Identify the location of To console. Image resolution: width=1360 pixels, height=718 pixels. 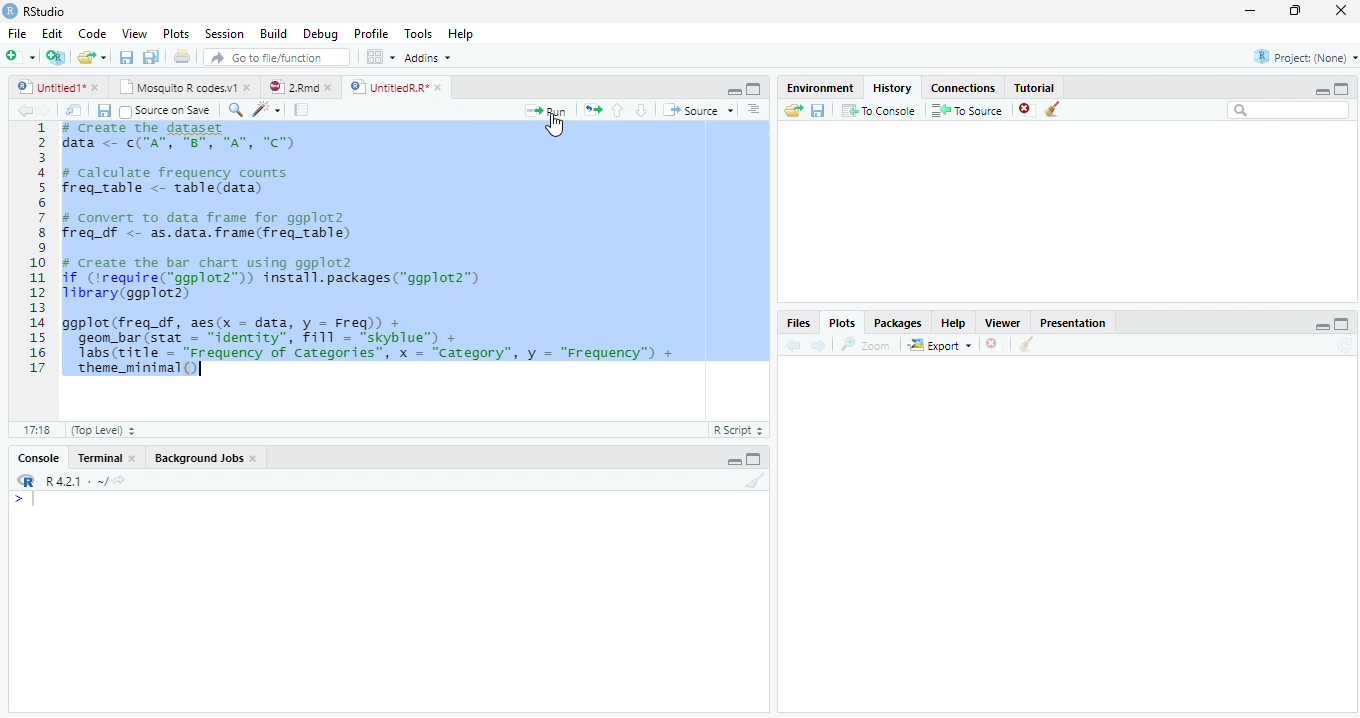
(879, 111).